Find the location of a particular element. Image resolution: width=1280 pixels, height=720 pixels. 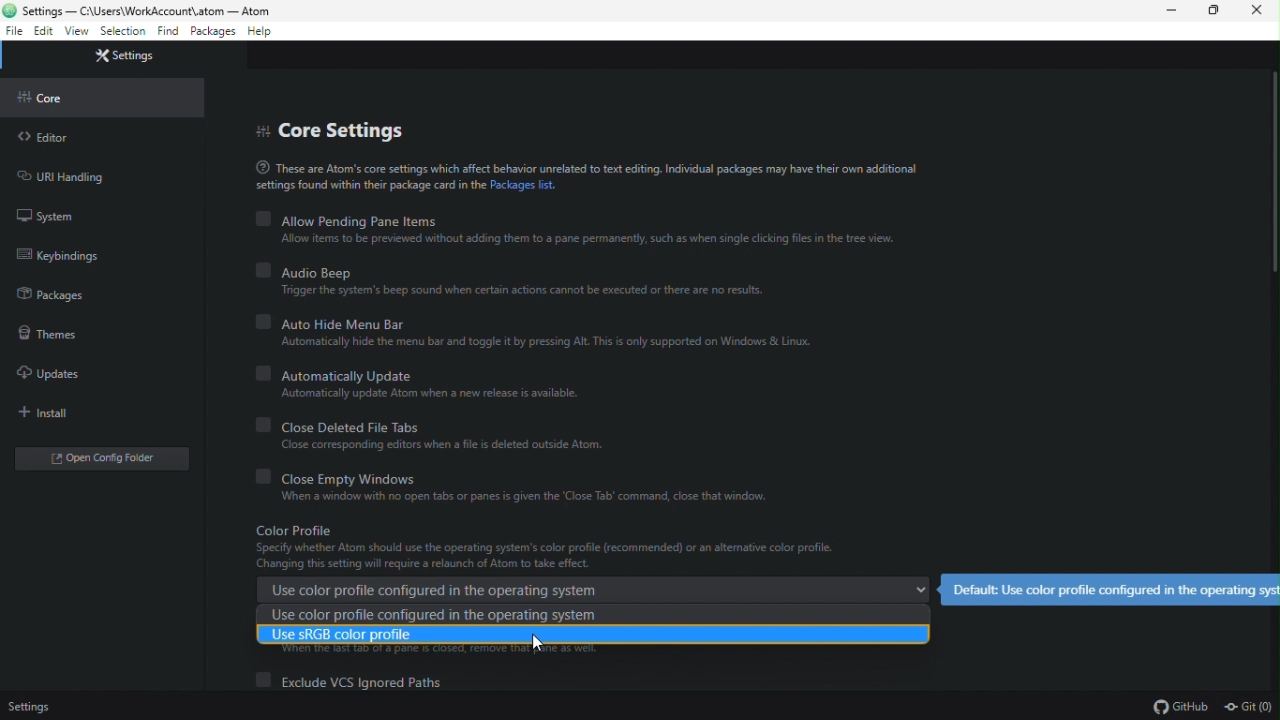

github is located at coordinates (1180, 706).